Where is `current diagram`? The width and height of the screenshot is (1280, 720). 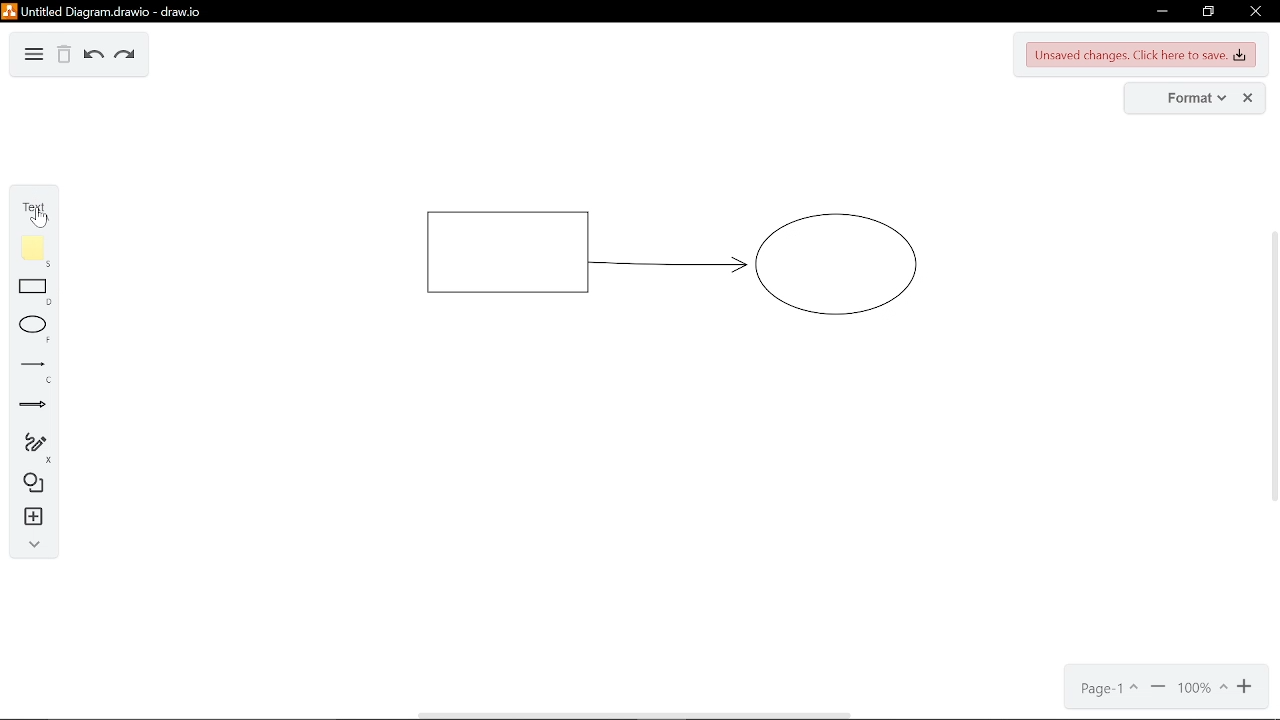
current diagram is located at coordinates (668, 255).